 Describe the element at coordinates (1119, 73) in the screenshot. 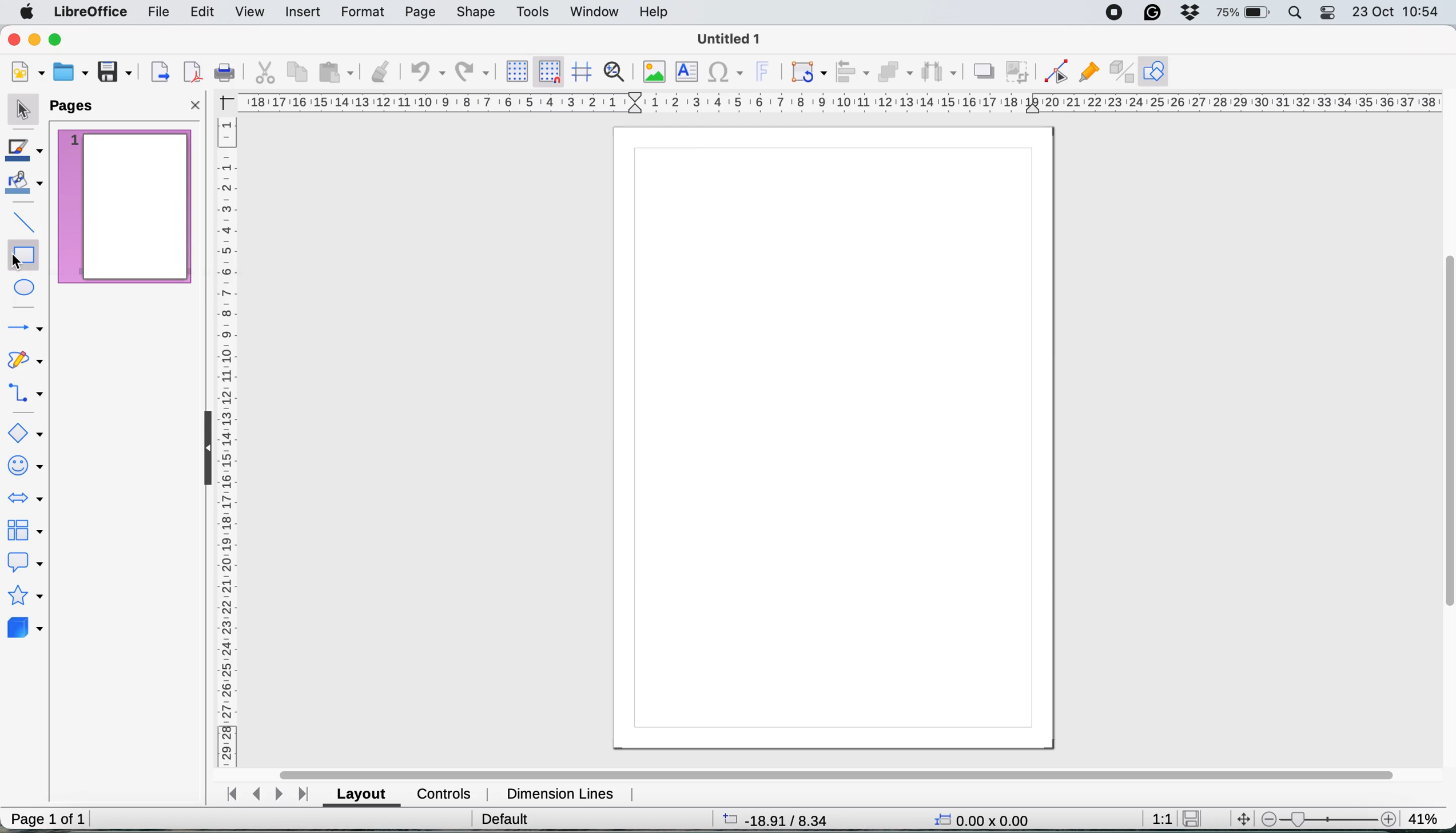

I see `toggle extrusion` at that location.